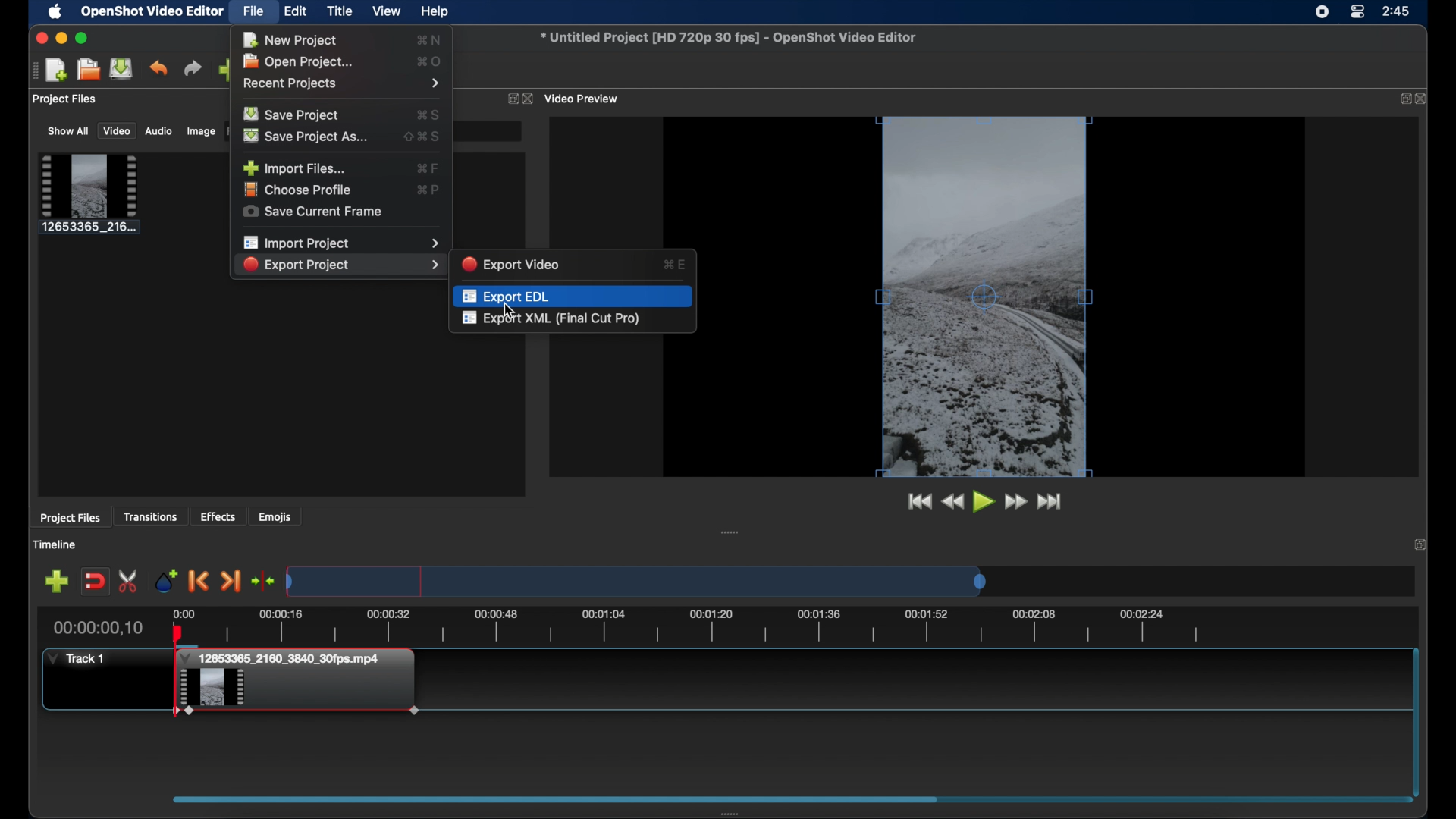 The height and width of the screenshot is (819, 1456). Describe the element at coordinates (427, 168) in the screenshot. I see `import files shortcut` at that location.